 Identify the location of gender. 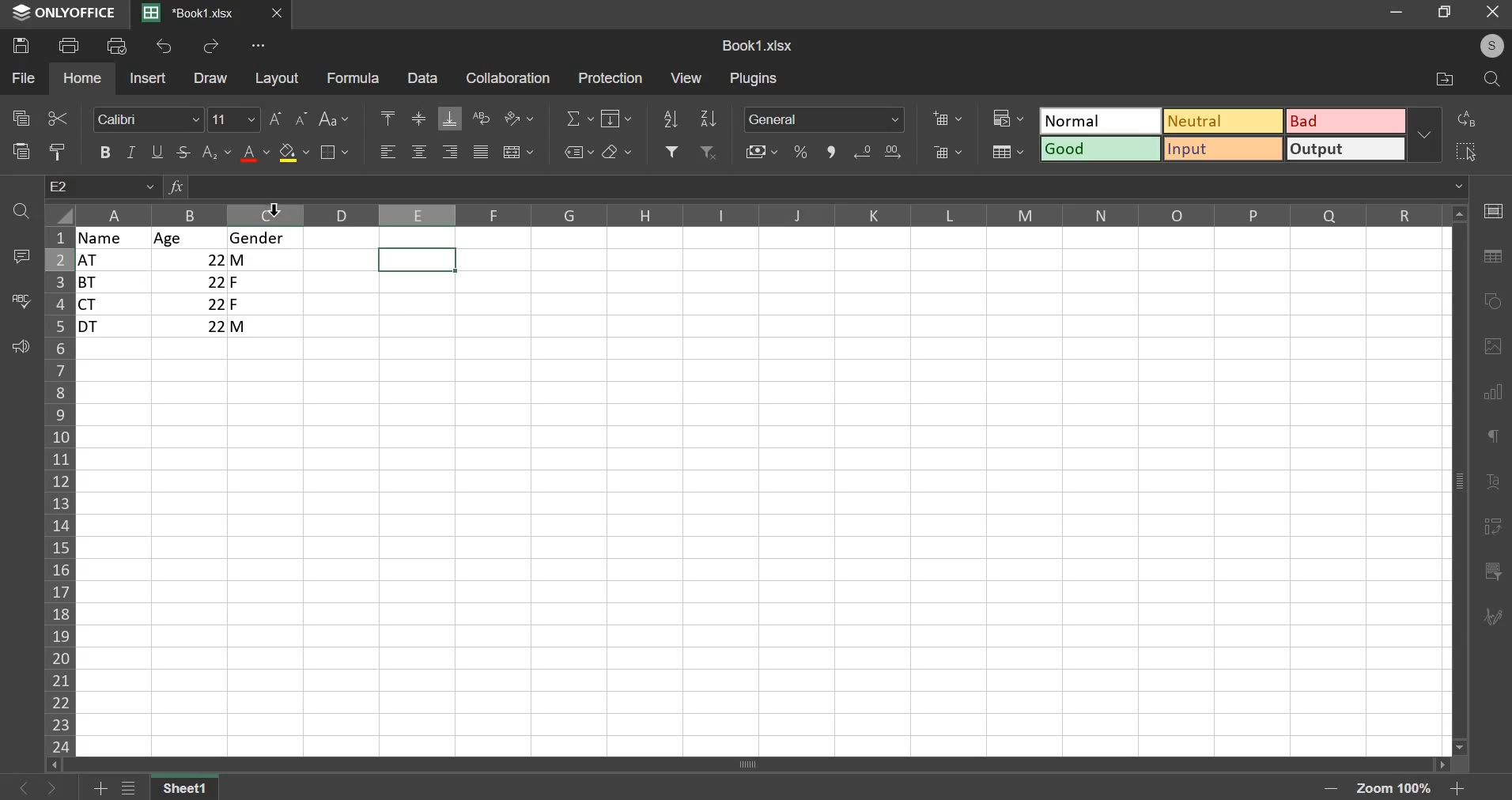
(262, 238).